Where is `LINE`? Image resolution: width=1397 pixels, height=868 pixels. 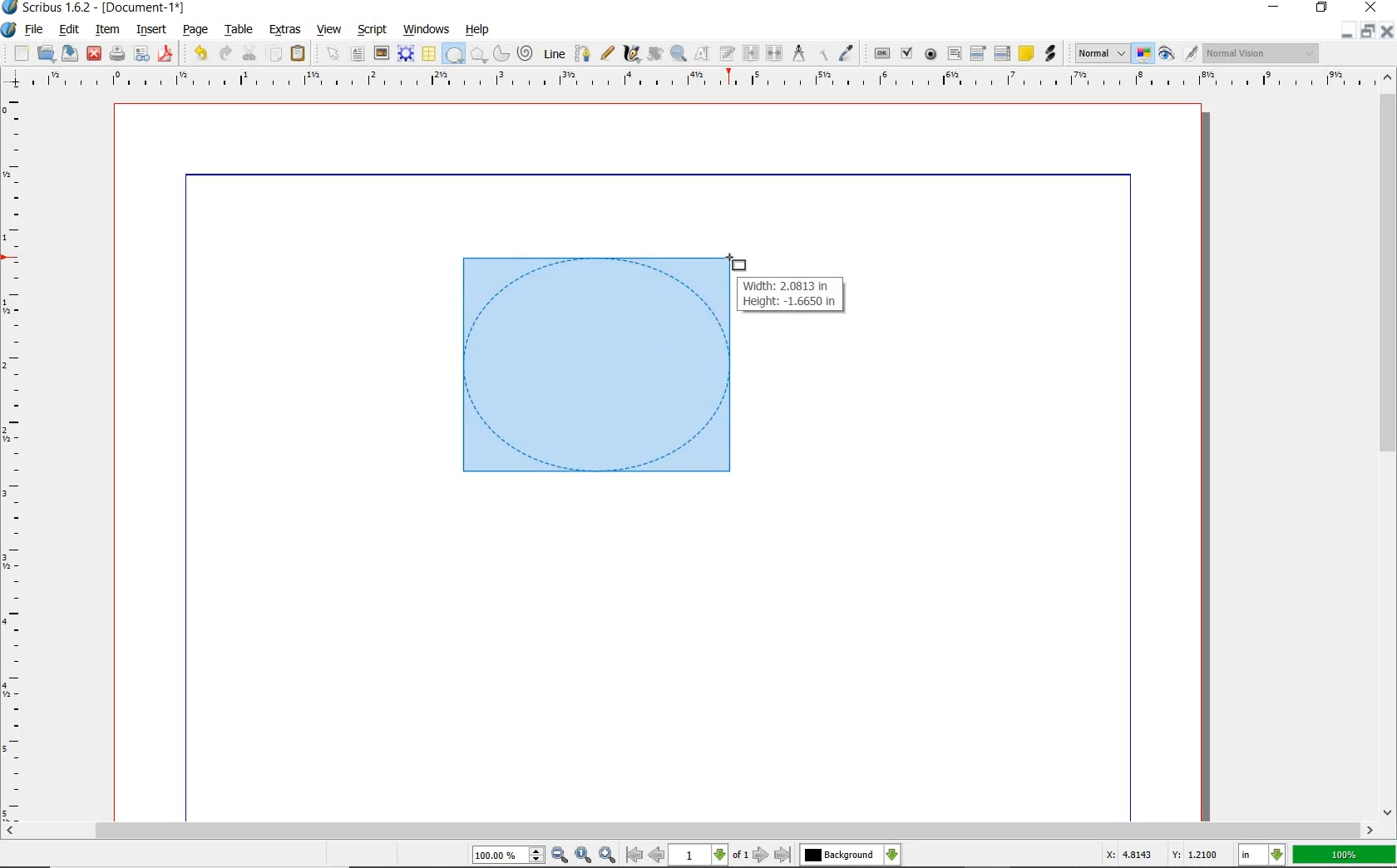 LINE is located at coordinates (555, 54).